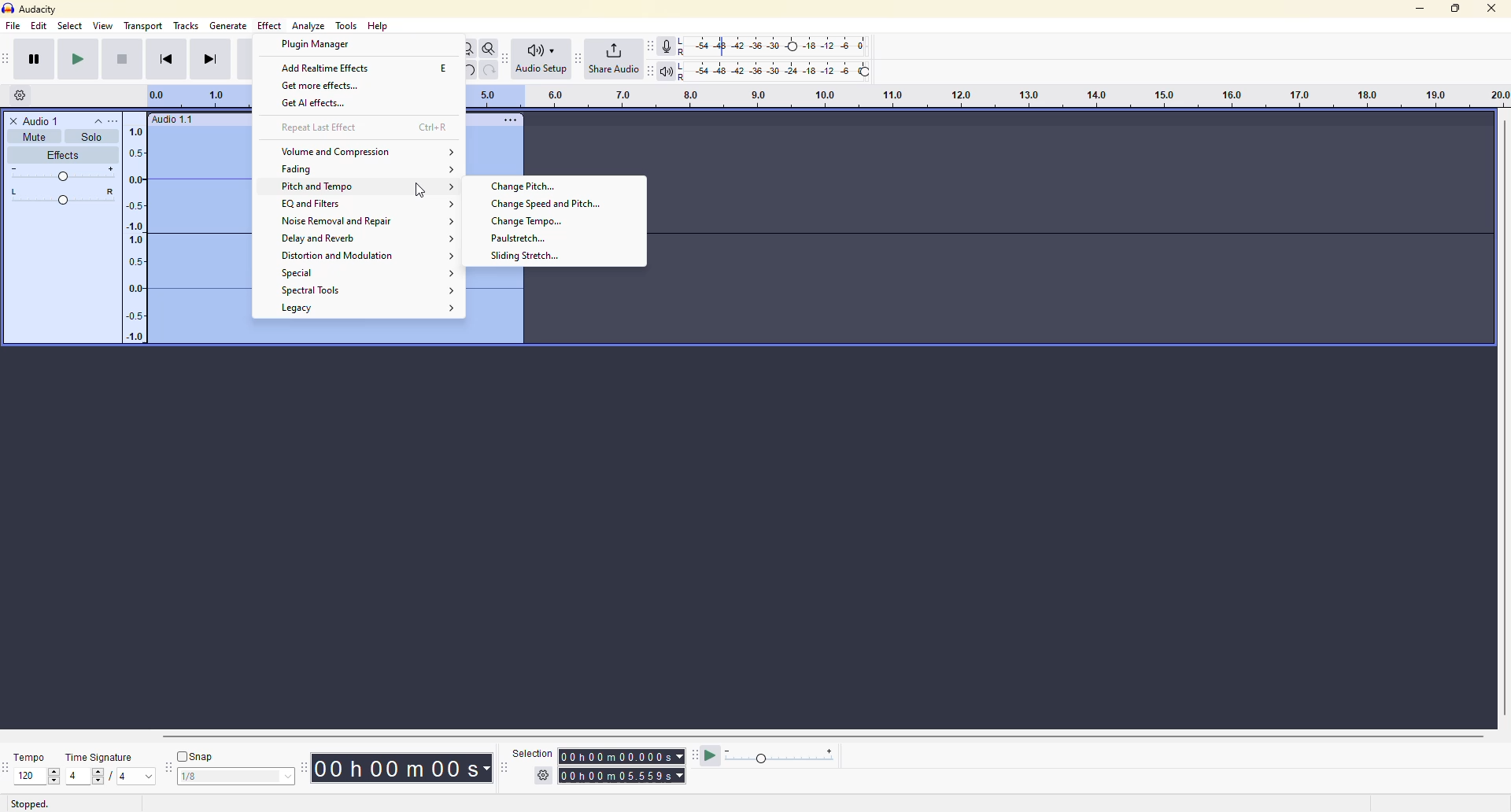 Image resolution: width=1511 pixels, height=812 pixels. Describe the element at coordinates (319, 45) in the screenshot. I see `plugin manager` at that location.